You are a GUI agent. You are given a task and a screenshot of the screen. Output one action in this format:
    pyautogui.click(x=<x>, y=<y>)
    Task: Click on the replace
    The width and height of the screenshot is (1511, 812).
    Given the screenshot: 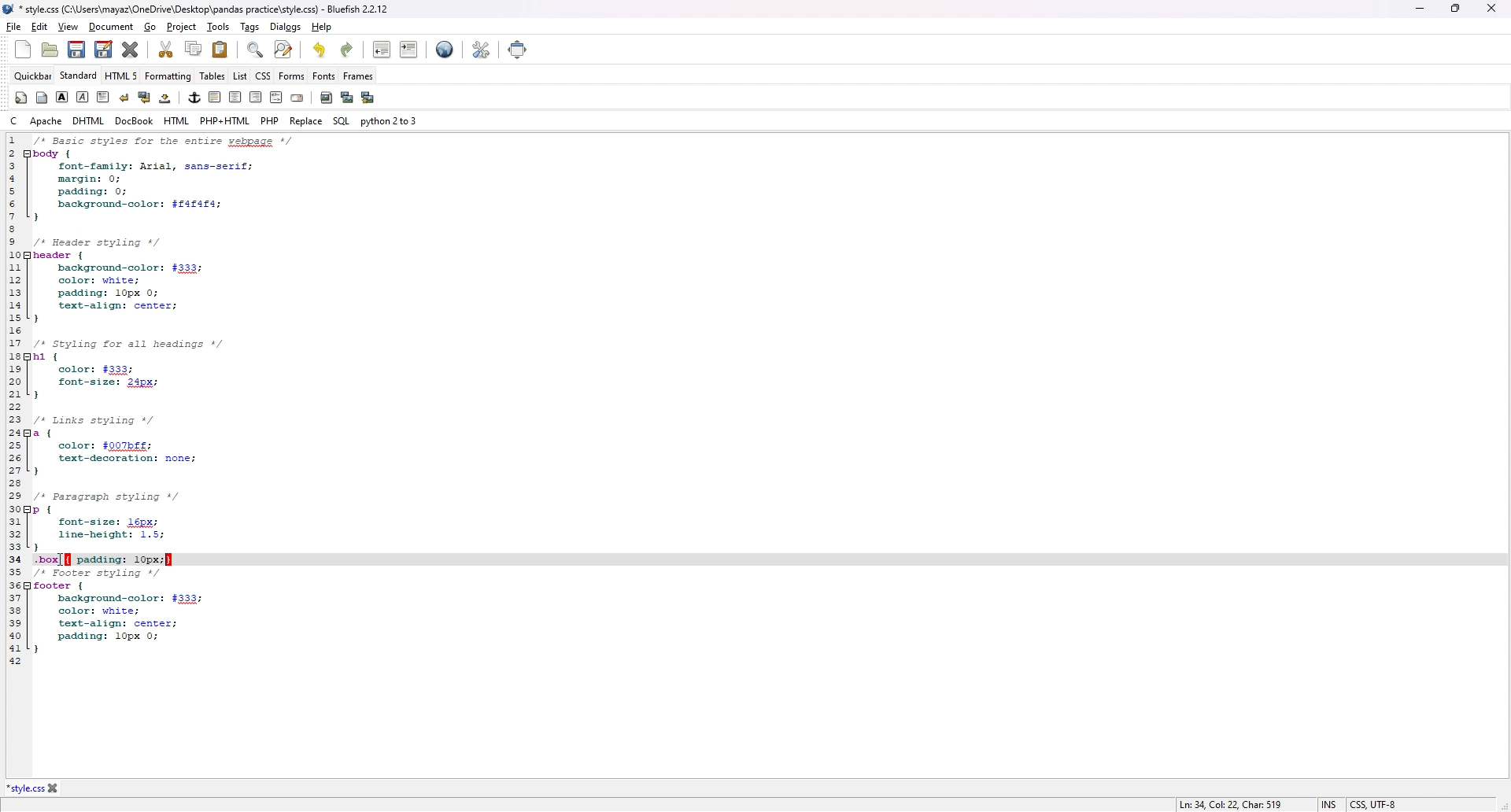 What is the action you would take?
    pyautogui.click(x=306, y=121)
    